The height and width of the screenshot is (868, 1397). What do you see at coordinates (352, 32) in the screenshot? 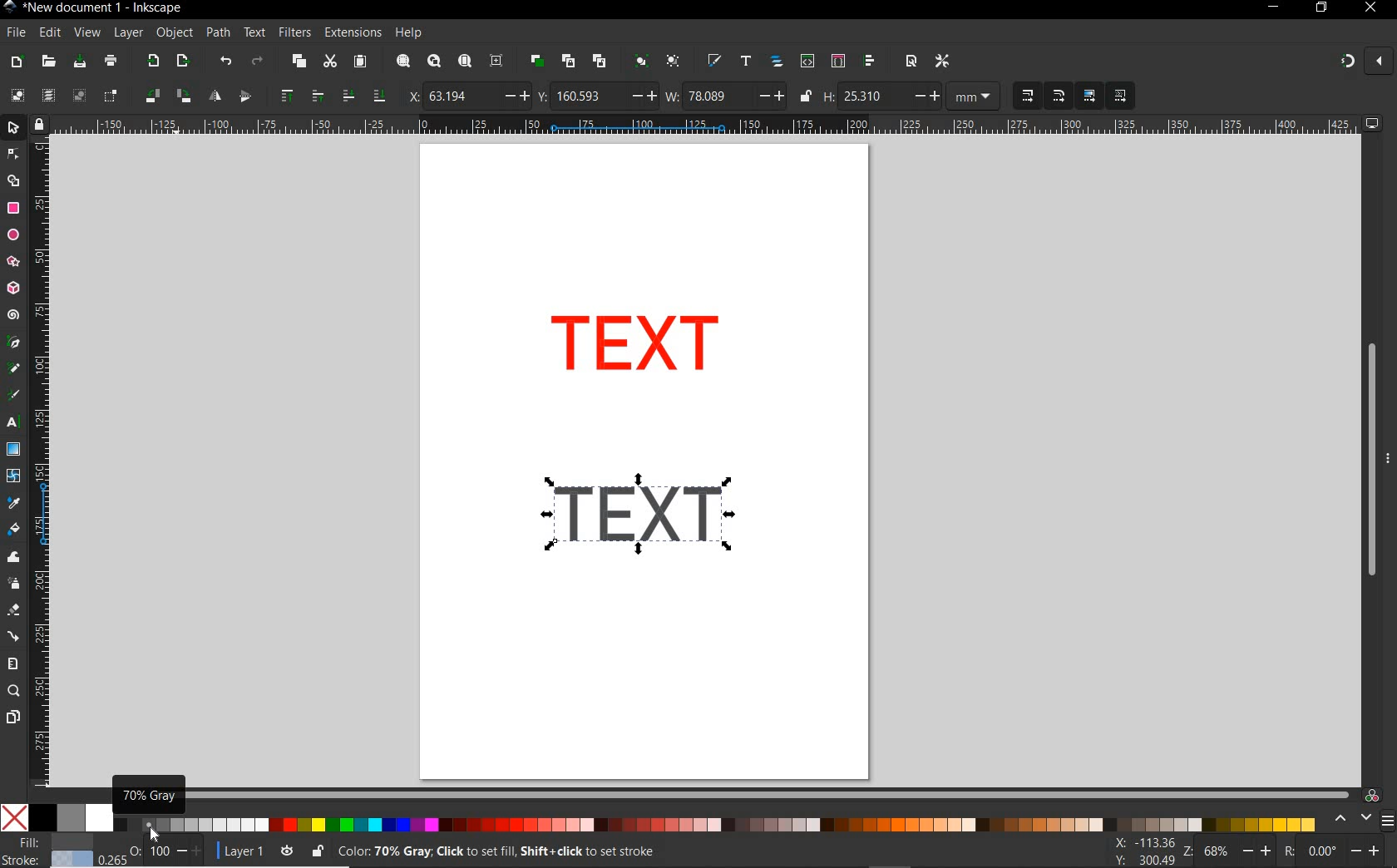
I see `extensions` at bounding box center [352, 32].